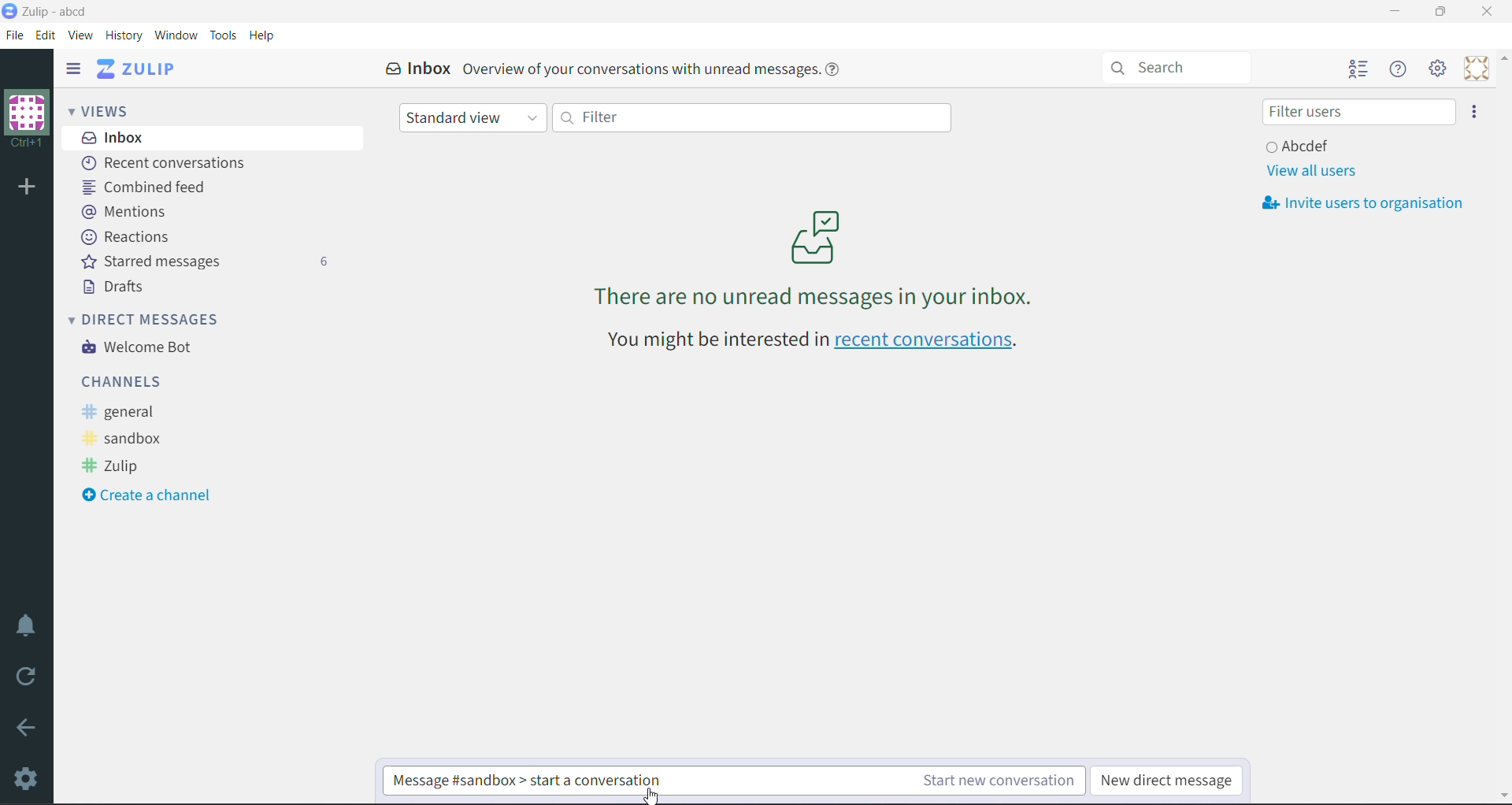 This screenshot has height=805, width=1512. Describe the element at coordinates (65, 11) in the screenshot. I see `Application Name - Organization Name` at that location.